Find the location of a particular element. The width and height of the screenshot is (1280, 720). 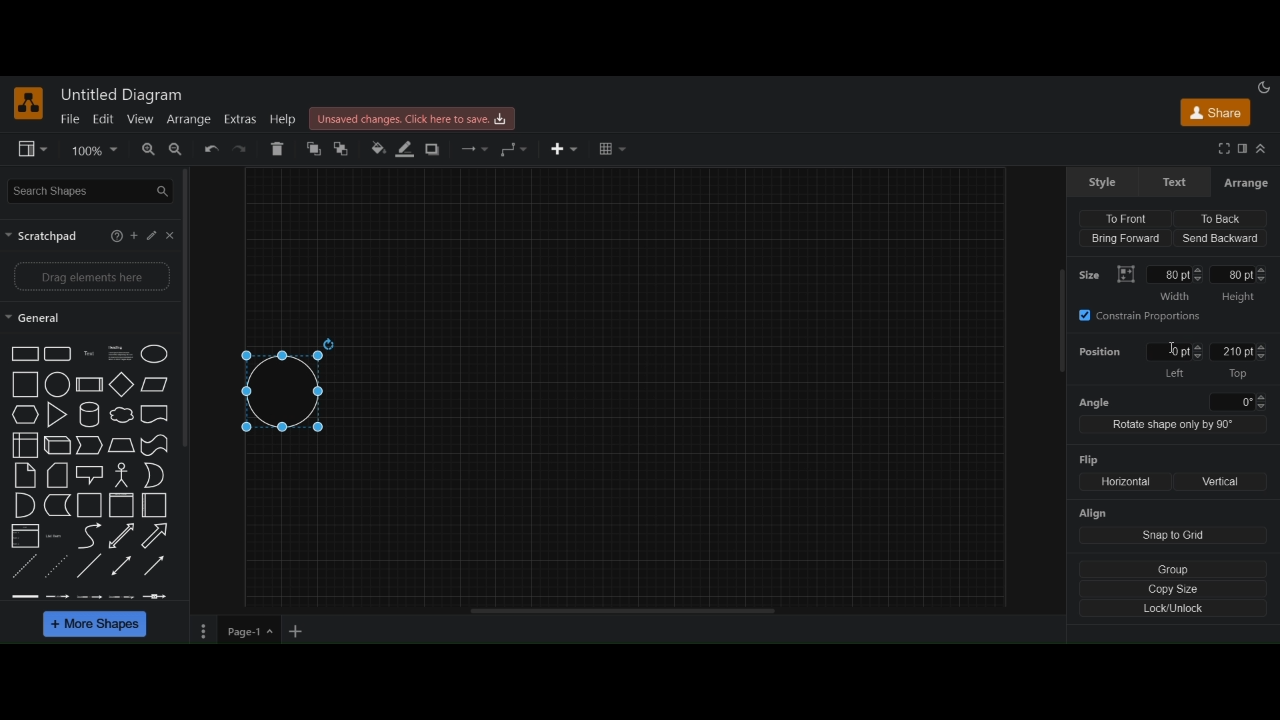

to front is located at coordinates (313, 149).